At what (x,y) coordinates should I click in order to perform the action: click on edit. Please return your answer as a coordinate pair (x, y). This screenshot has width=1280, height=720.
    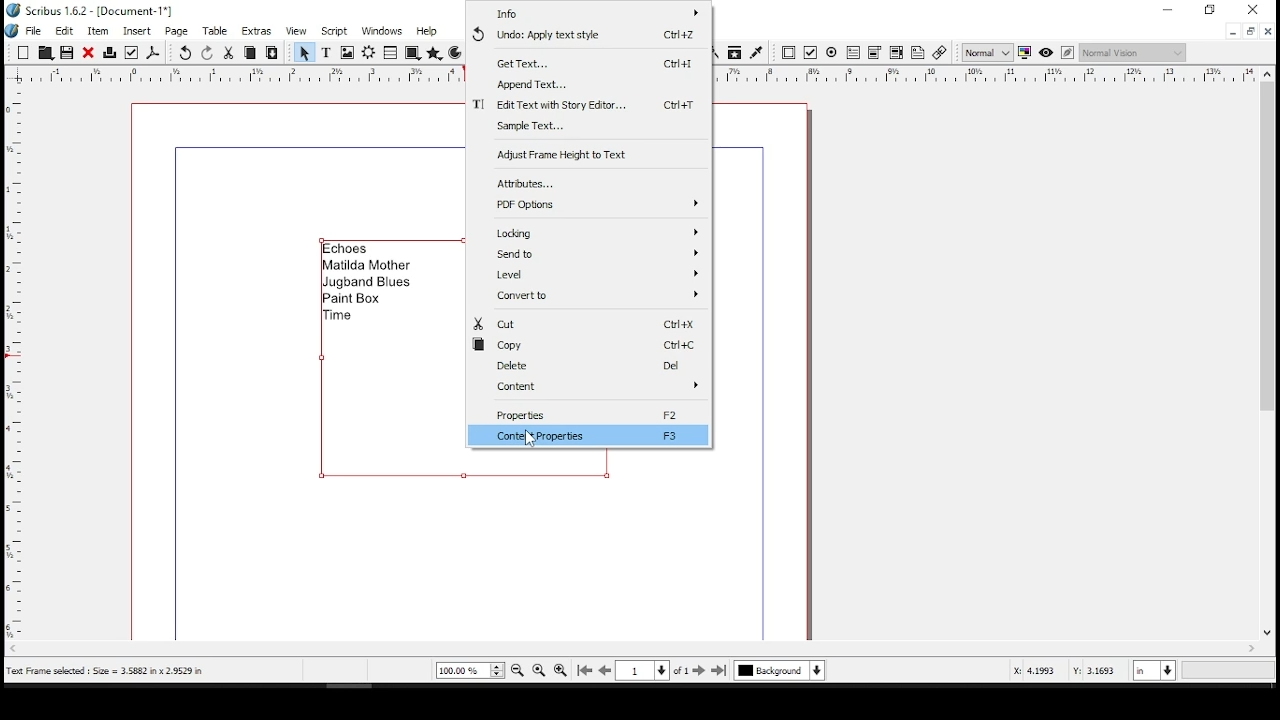
    Looking at the image, I should click on (65, 30).